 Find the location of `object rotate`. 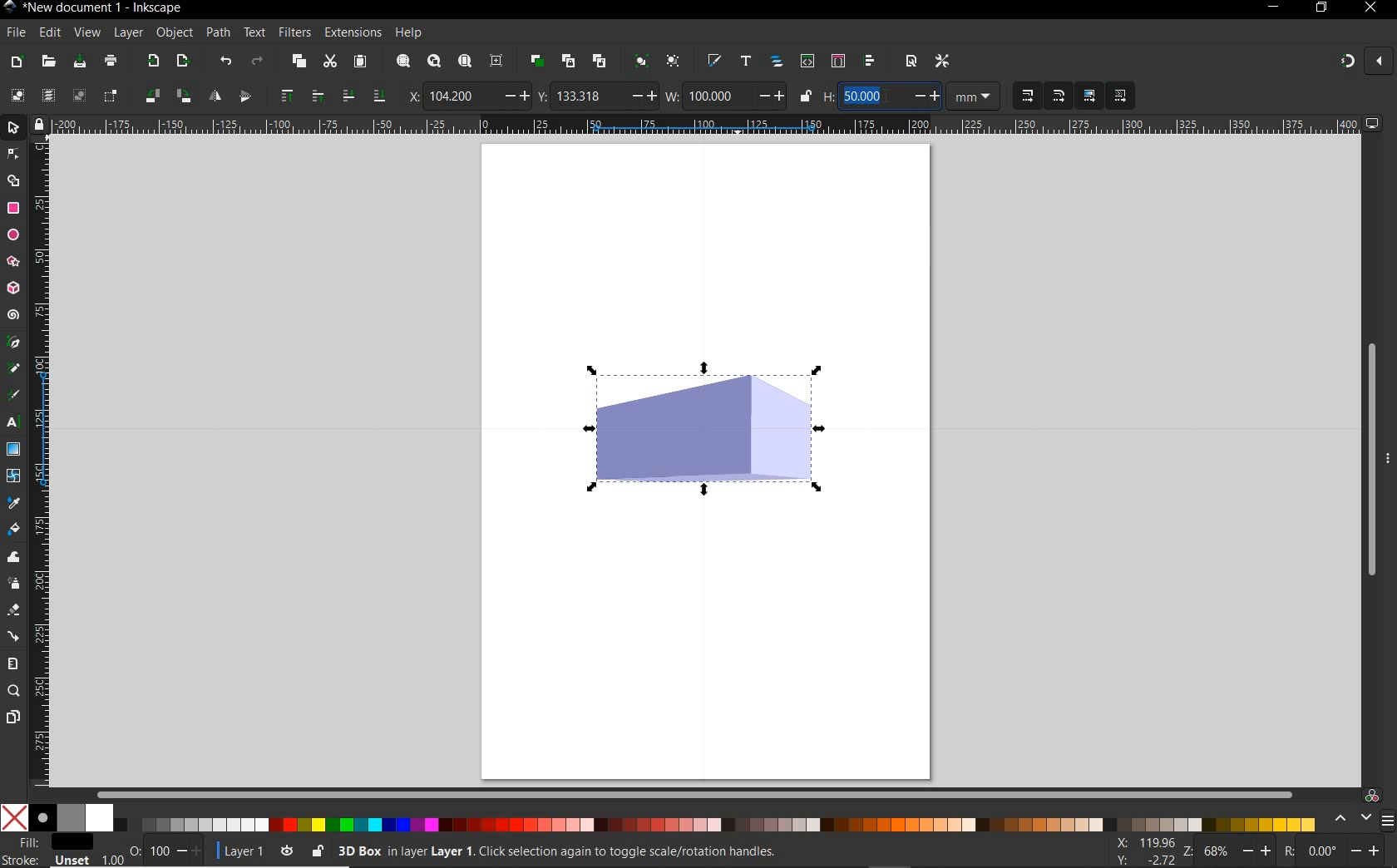

object rotate is located at coordinates (182, 96).